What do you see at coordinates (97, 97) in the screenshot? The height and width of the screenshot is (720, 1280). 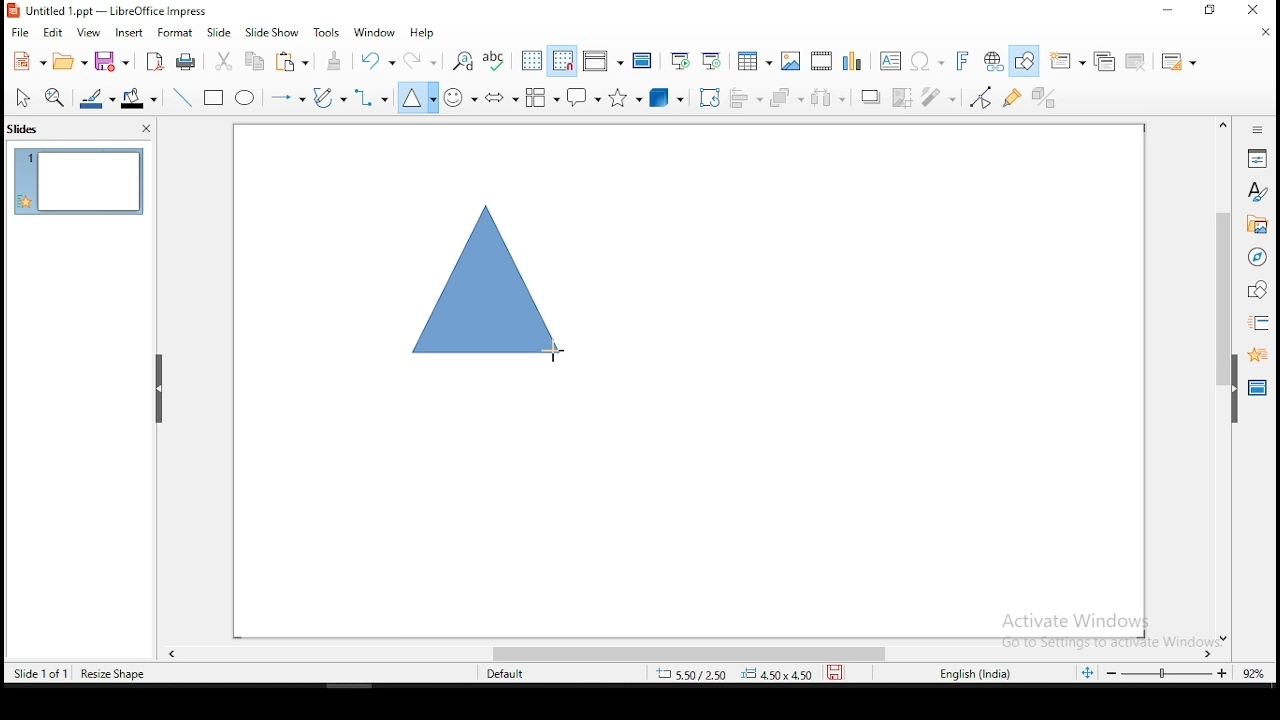 I see `line color` at bounding box center [97, 97].